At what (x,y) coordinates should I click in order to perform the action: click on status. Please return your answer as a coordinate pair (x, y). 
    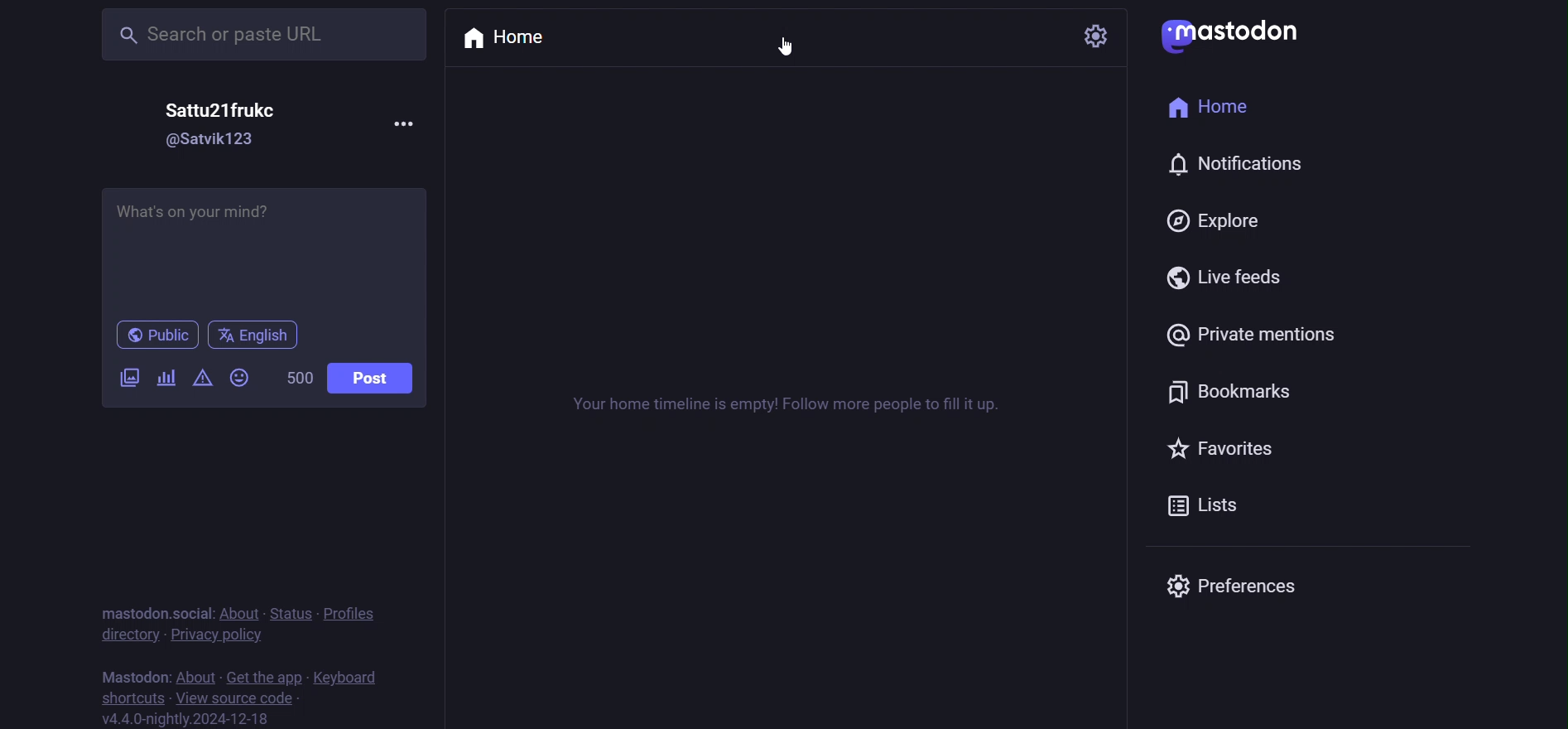
    Looking at the image, I should click on (290, 613).